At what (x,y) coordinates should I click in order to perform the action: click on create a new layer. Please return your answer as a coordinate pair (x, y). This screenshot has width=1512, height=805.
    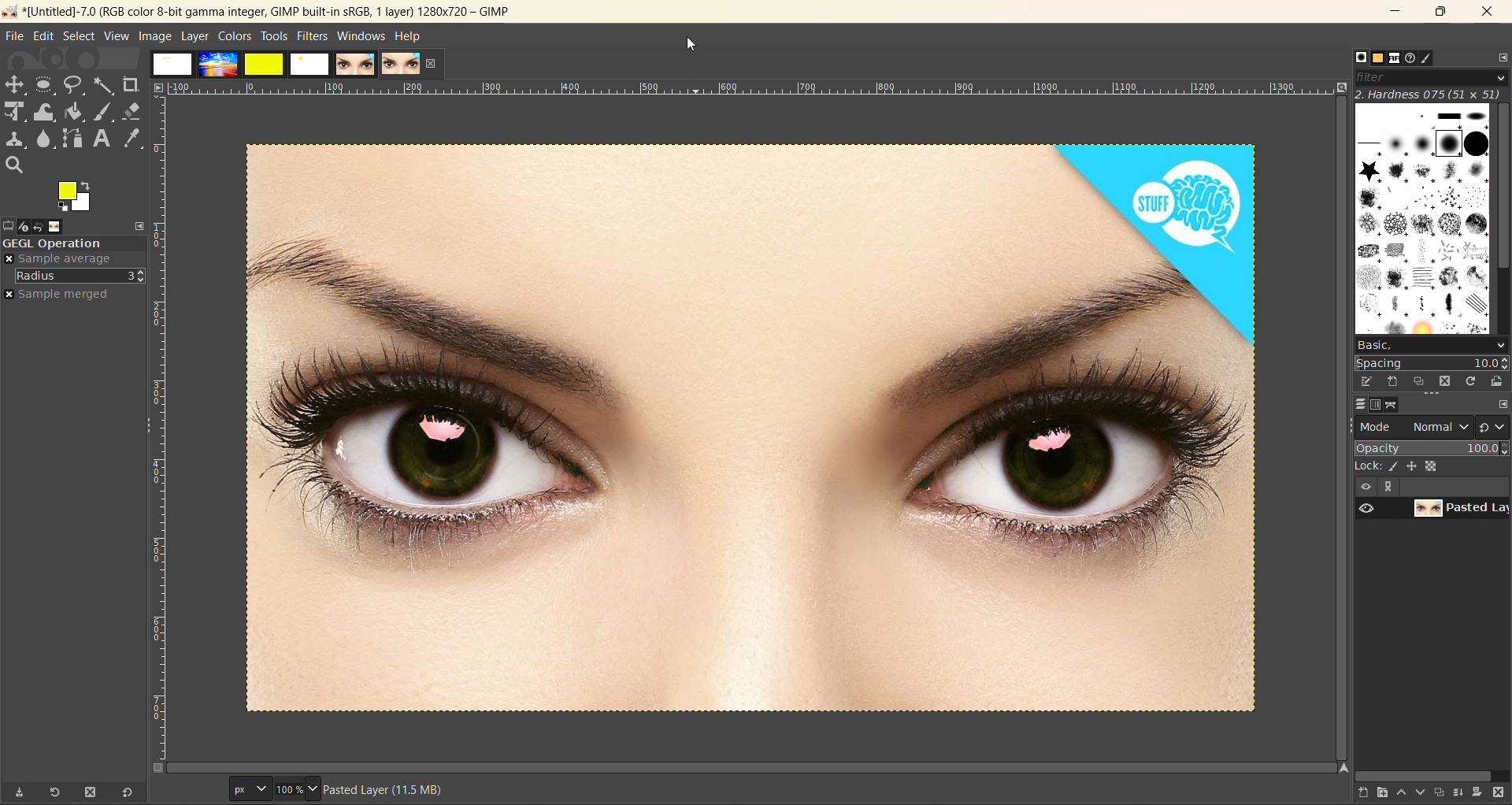
    Looking at the image, I should click on (1355, 794).